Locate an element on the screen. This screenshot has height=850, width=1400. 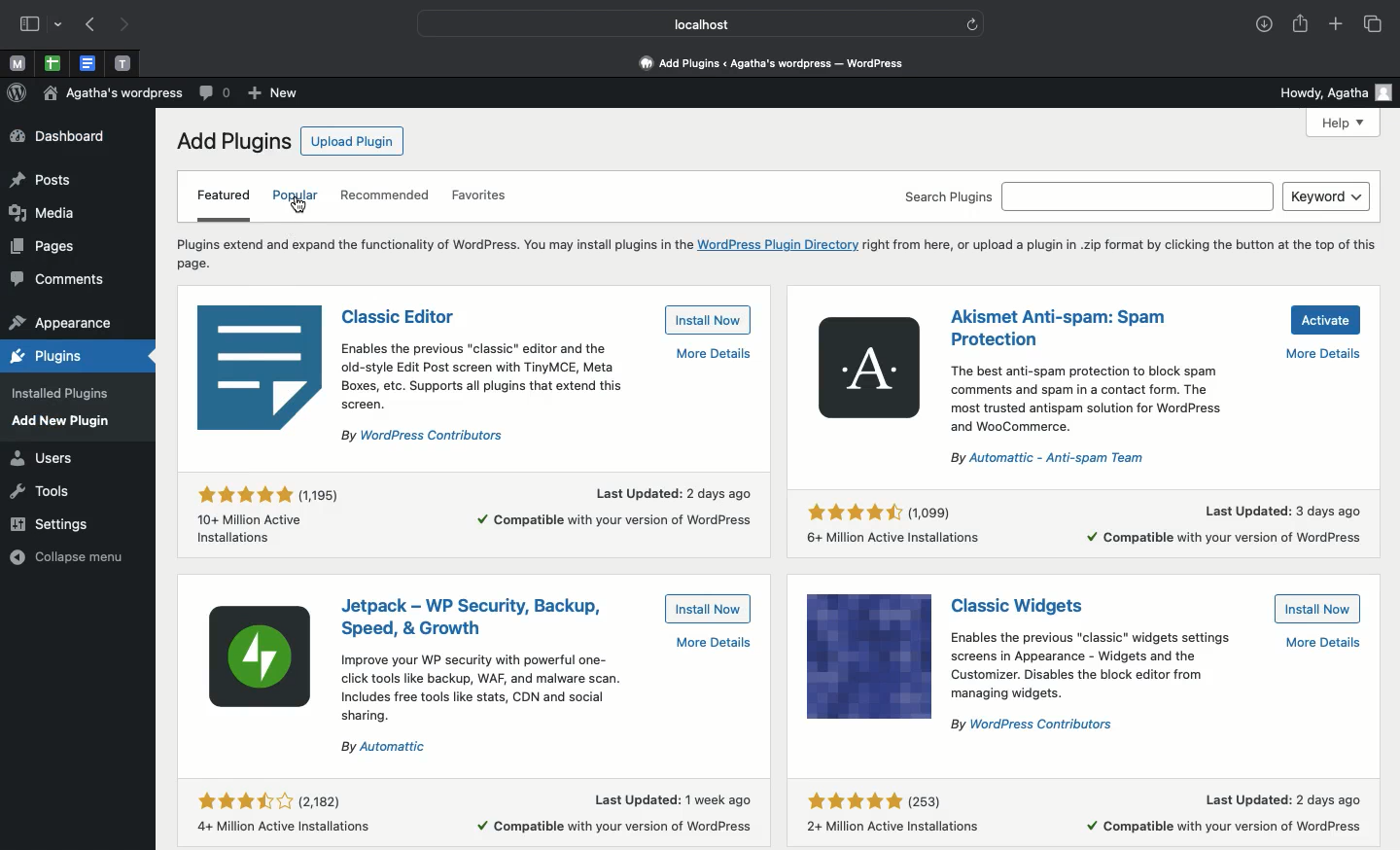
comments is located at coordinates (58, 279).